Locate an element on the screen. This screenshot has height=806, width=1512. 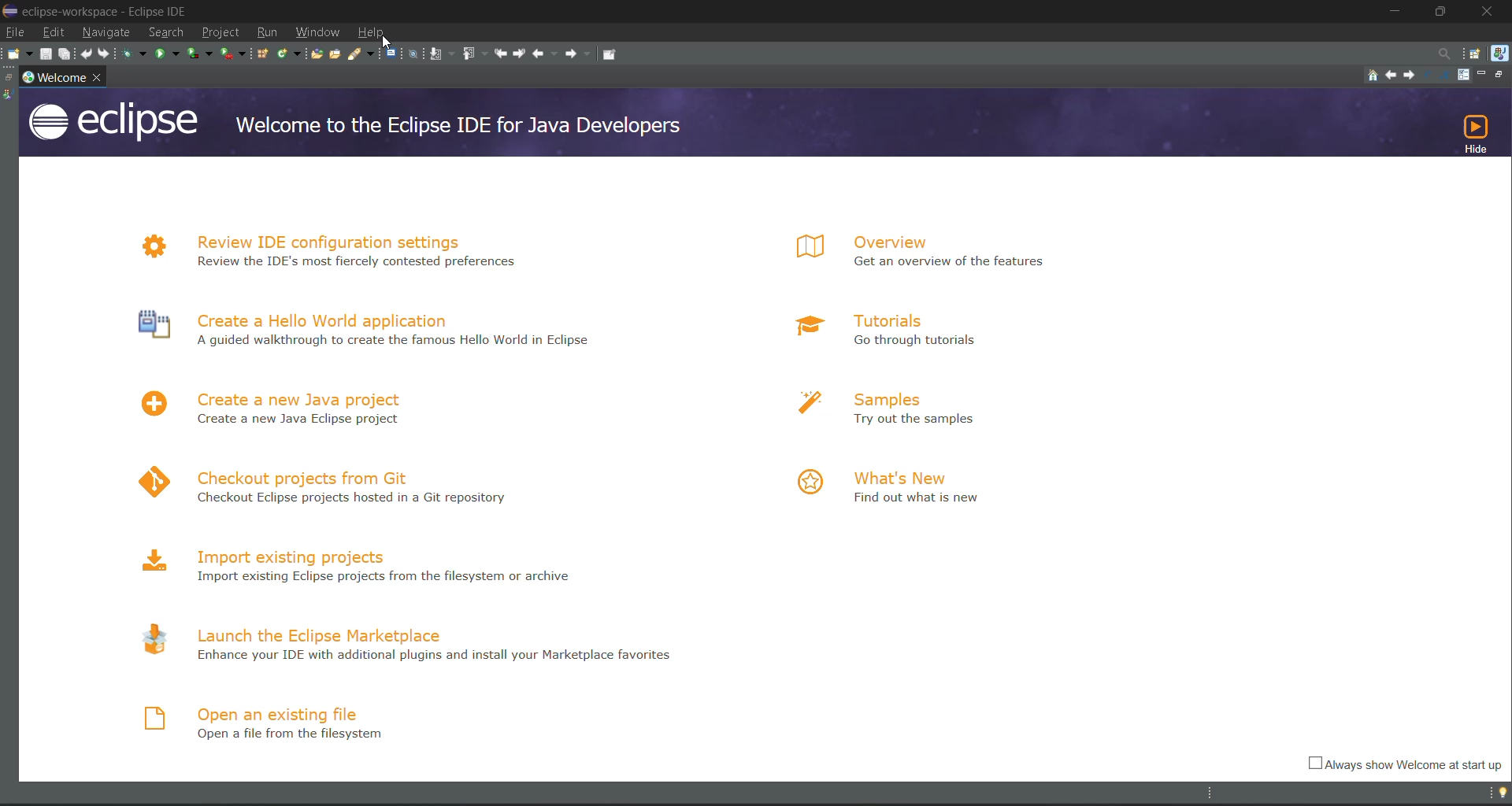
back is located at coordinates (543, 55).